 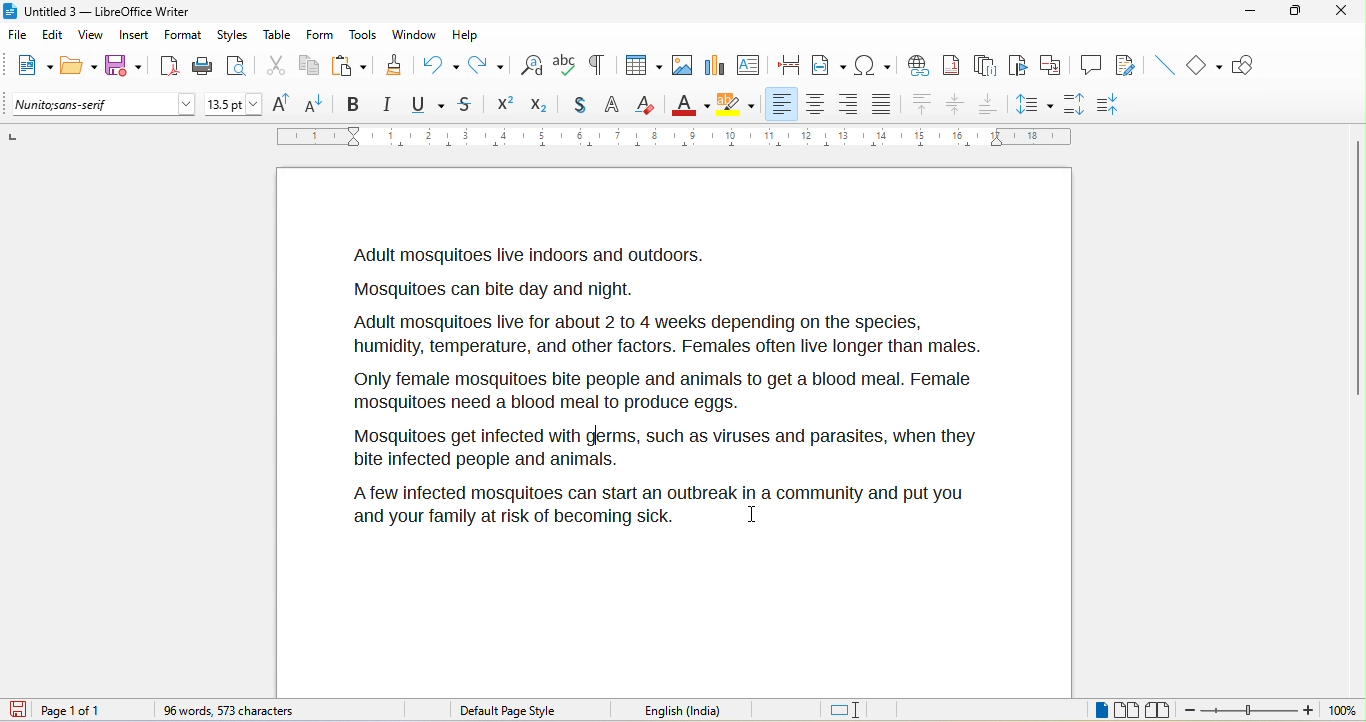 What do you see at coordinates (202, 69) in the screenshot?
I see `print` at bounding box center [202, 69].